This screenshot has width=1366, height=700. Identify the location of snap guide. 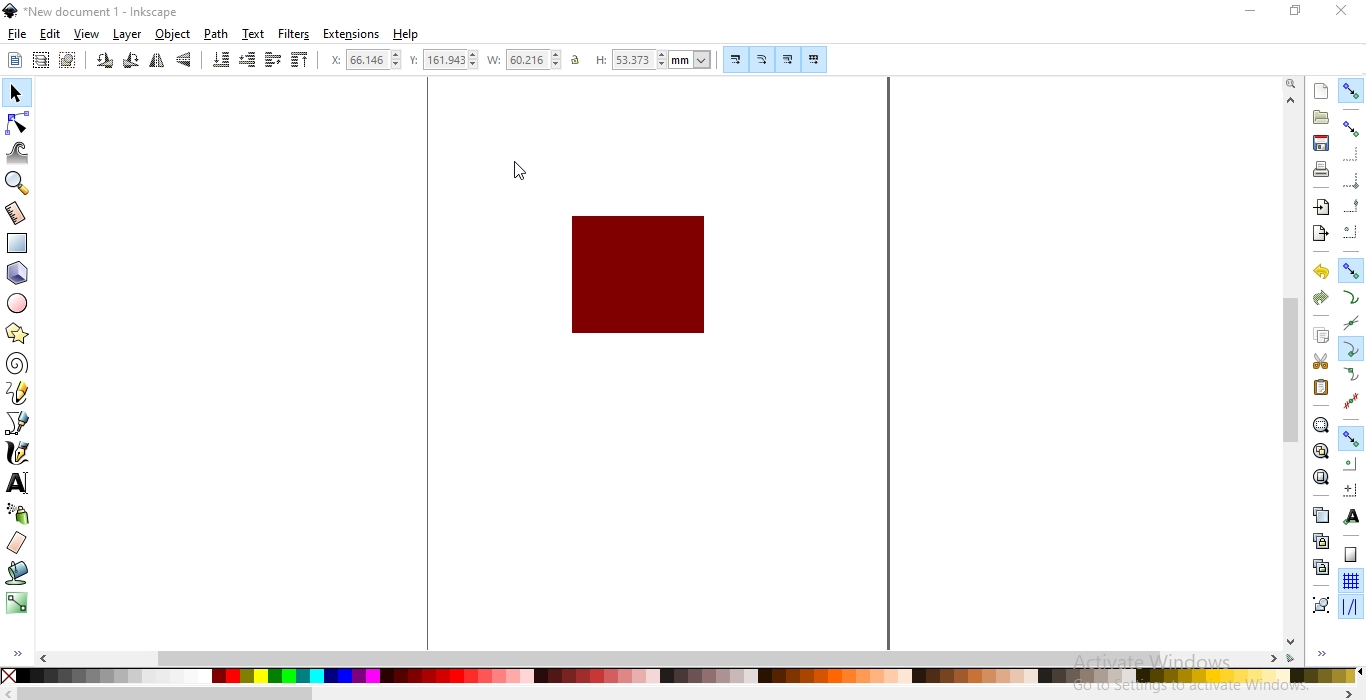
(1351, 607).